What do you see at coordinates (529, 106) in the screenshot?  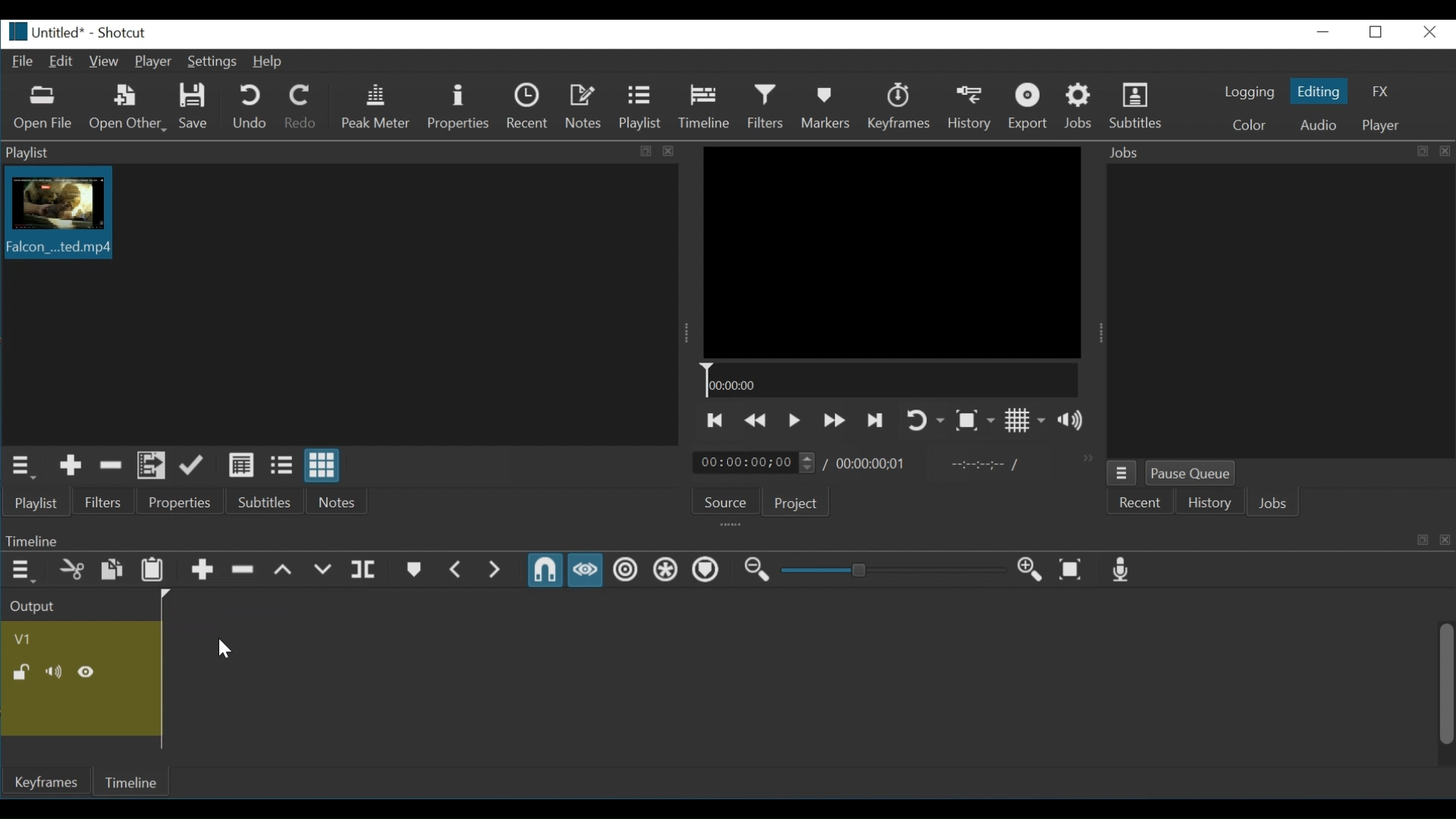 I see `Recent` at bounding box center [529, 106].